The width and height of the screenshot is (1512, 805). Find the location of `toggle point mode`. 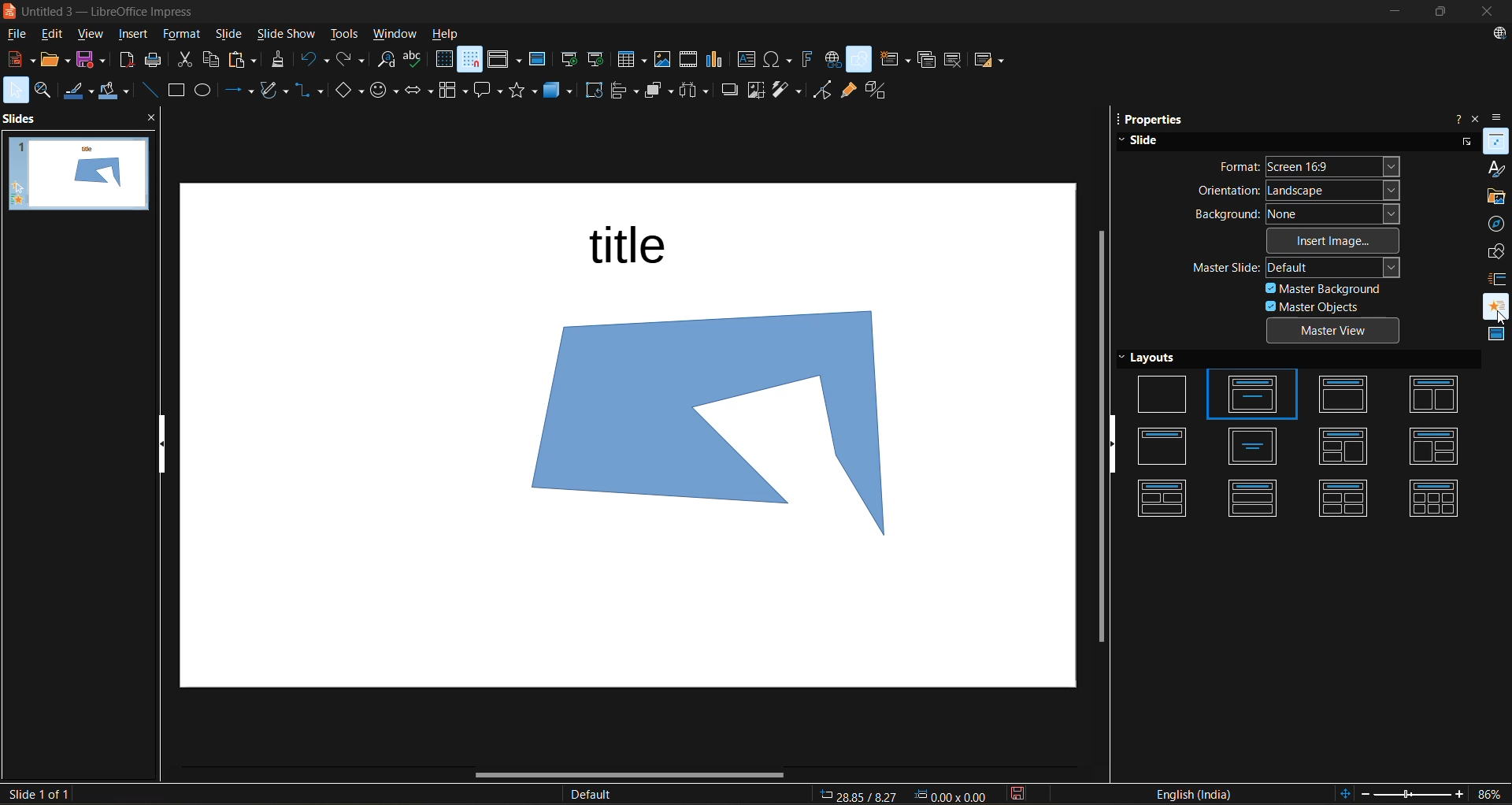

toggle point mode is located at coordinates (823, 91).